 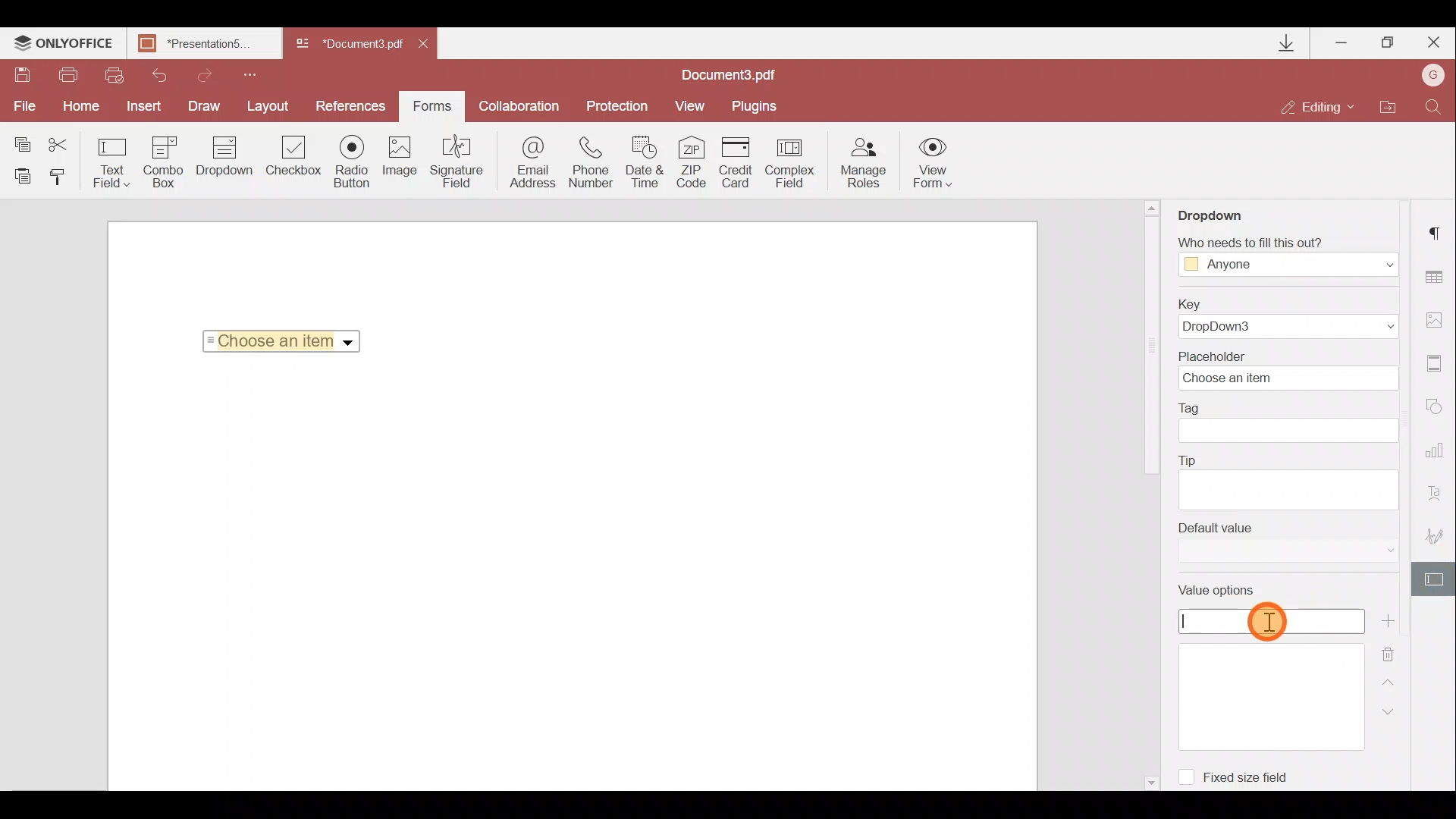 What do you see at coordinates (756, 107) in the screenshot?
I see `Plugins` at bounding box center [756, 107].